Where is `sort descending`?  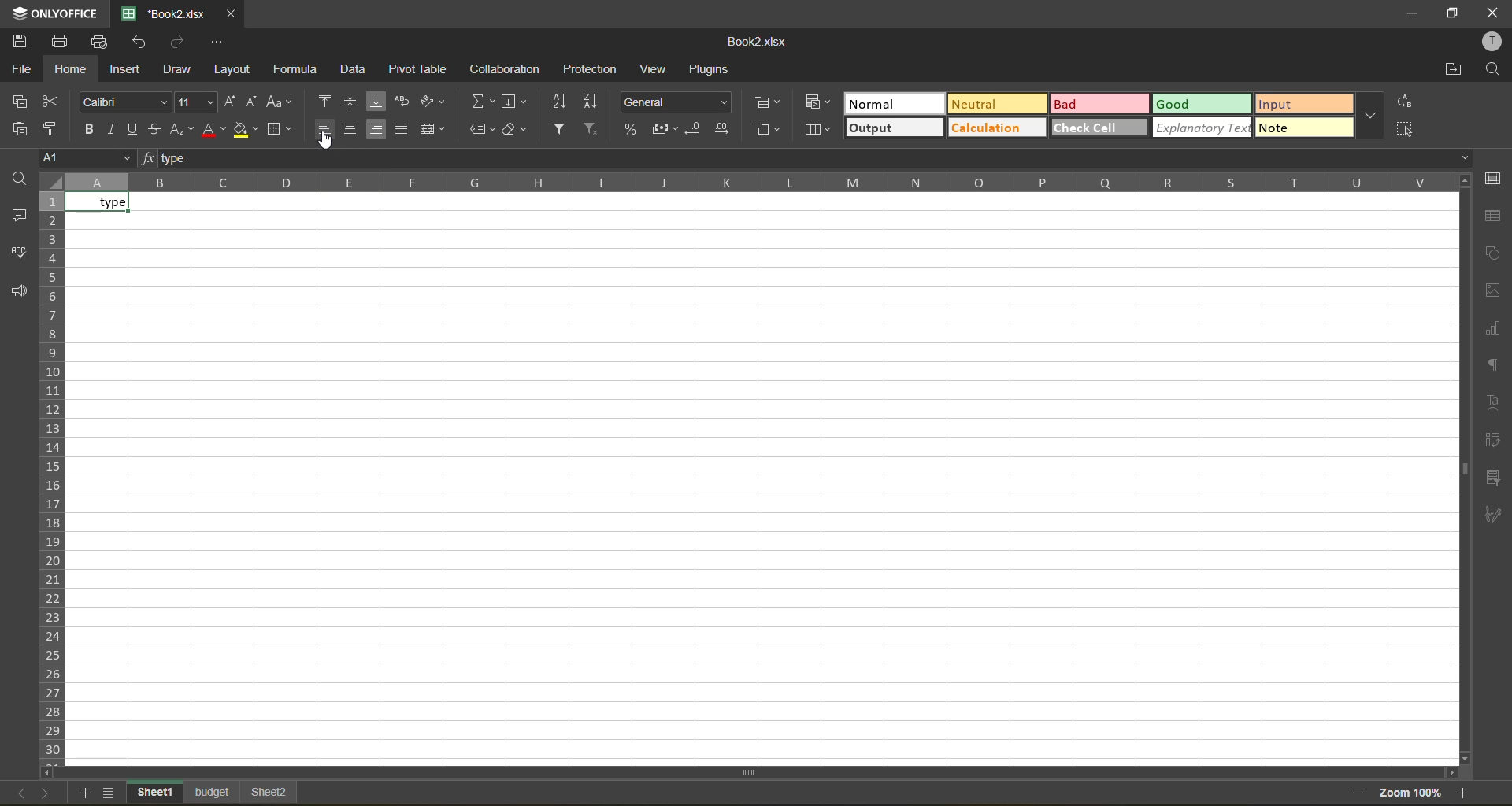
sort descending is located at coordinates (595, 102).